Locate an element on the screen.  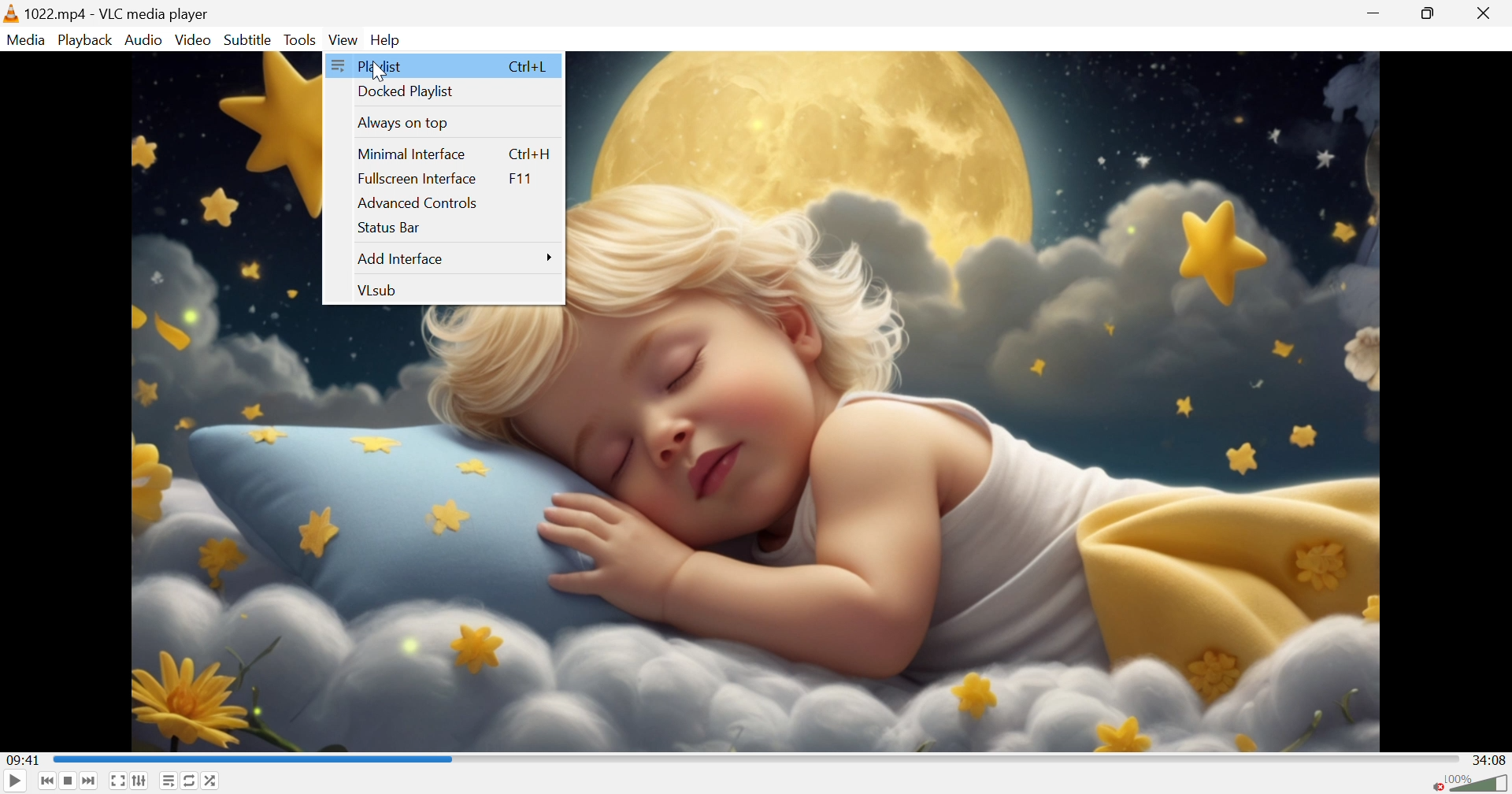
09:41 is located at coordinates (24, 757).